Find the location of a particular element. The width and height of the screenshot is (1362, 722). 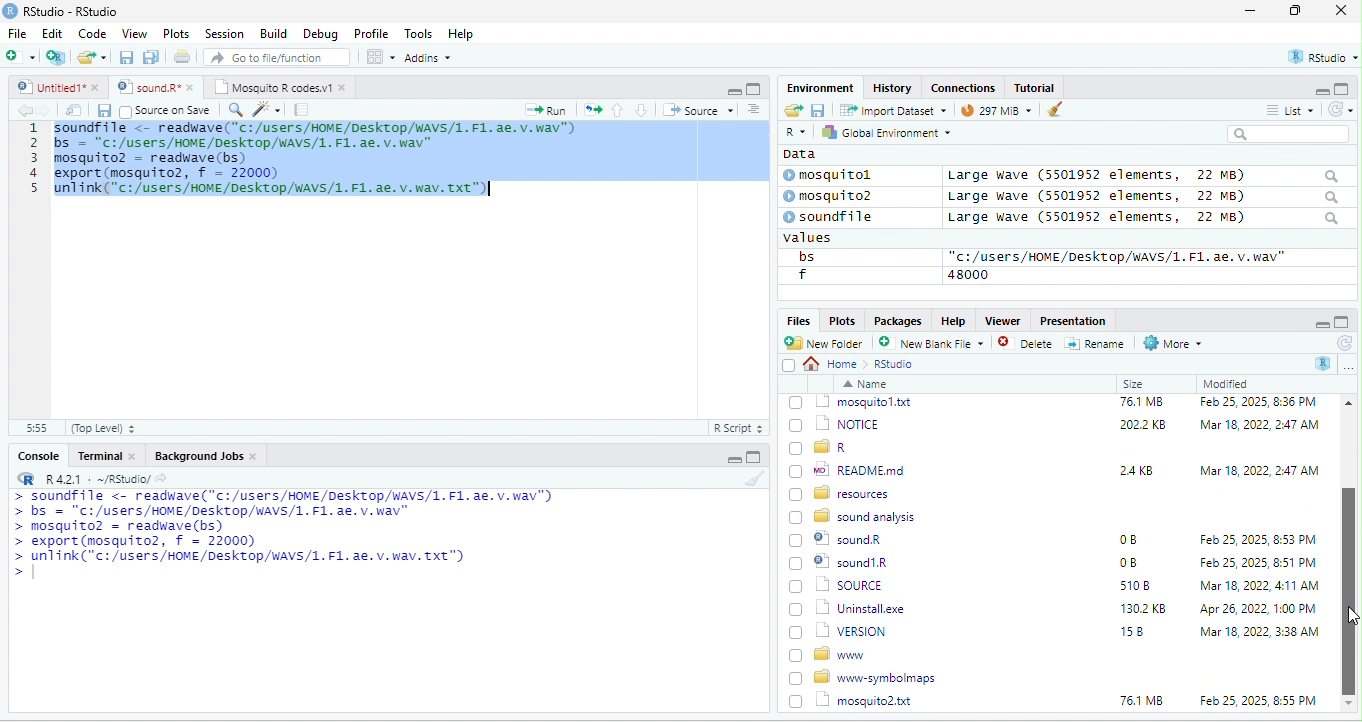

search is located at coordinates (1288, 134).